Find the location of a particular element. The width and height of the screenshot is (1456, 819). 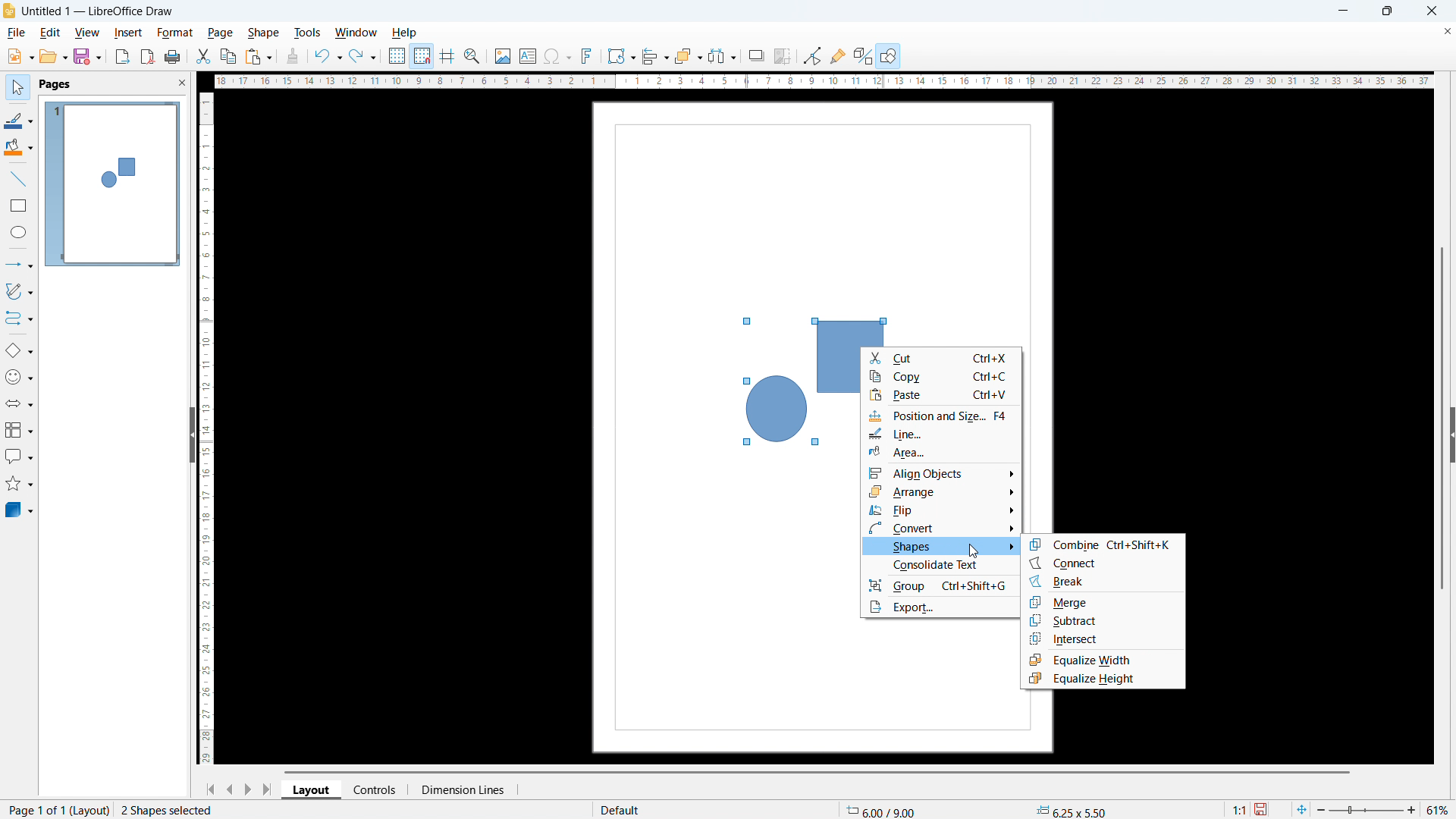

print is located at coordinates (174, 57).